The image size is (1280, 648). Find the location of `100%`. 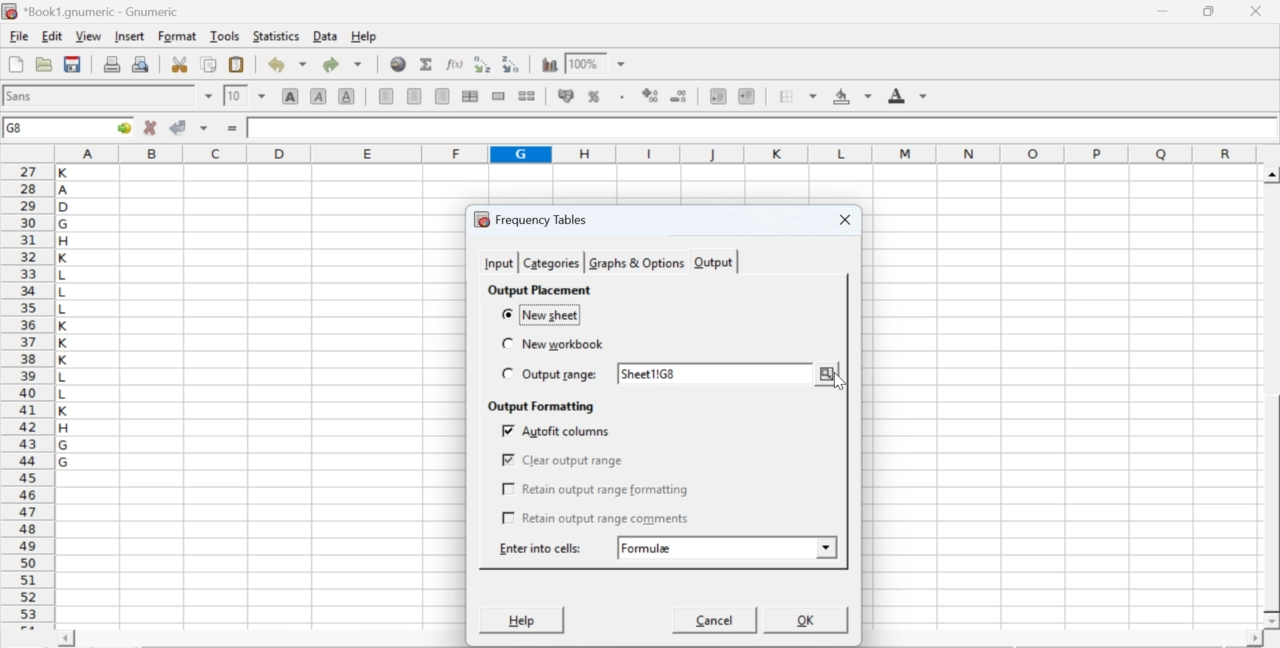

100% is located at coordinates (583, 63).